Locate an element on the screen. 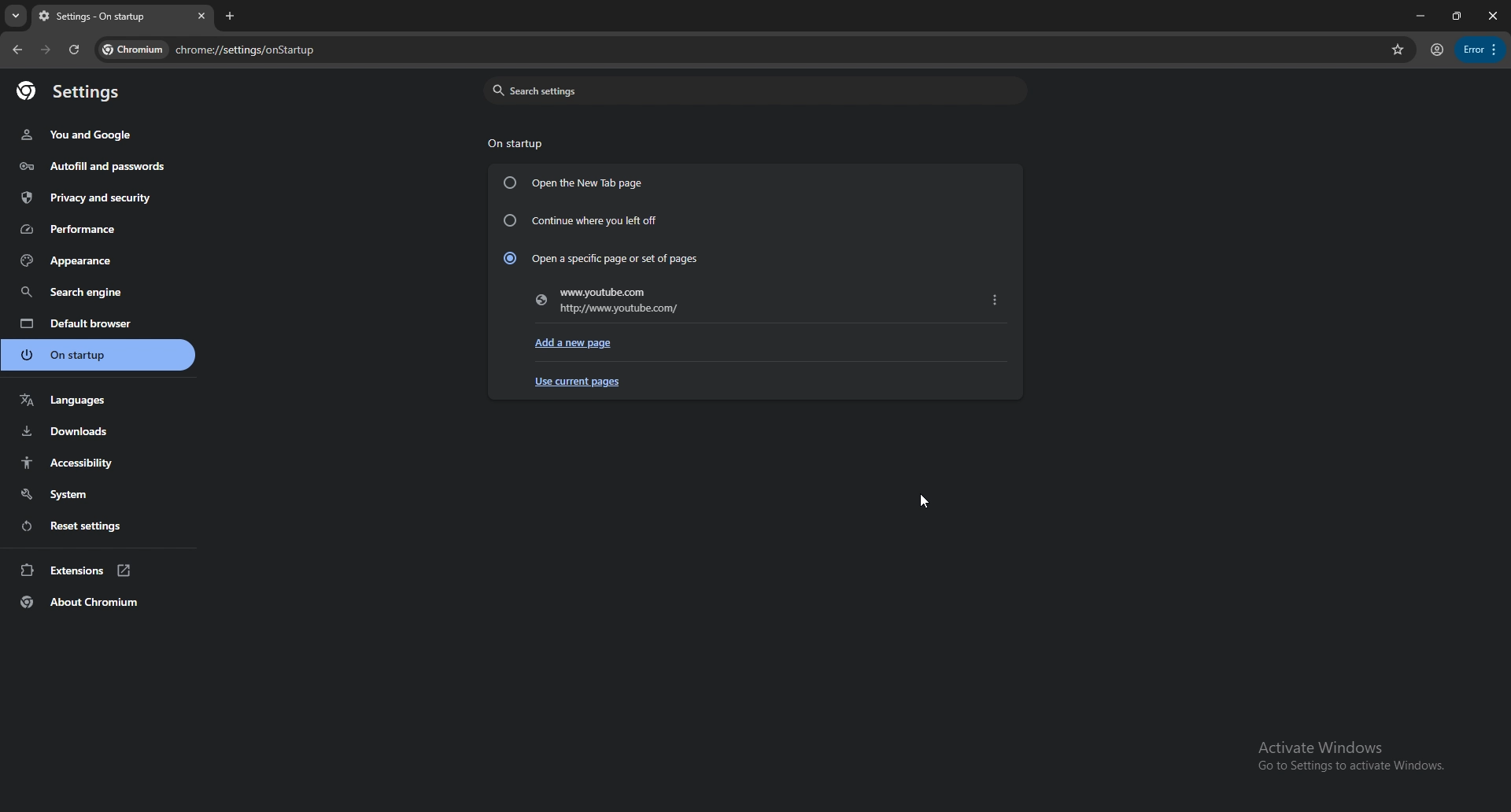  on startup is located at coordinates (516, 142).